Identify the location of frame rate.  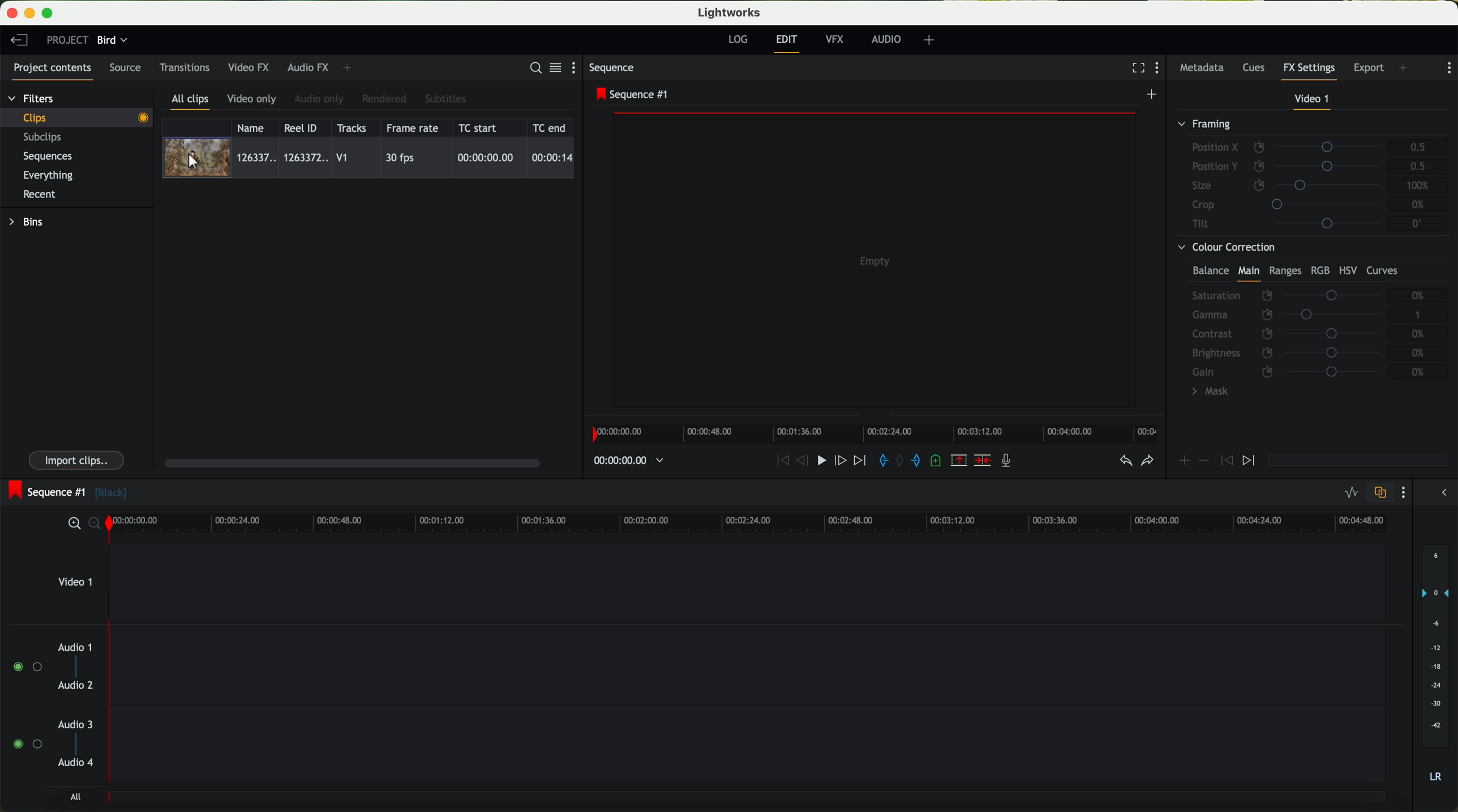
(413, 128).